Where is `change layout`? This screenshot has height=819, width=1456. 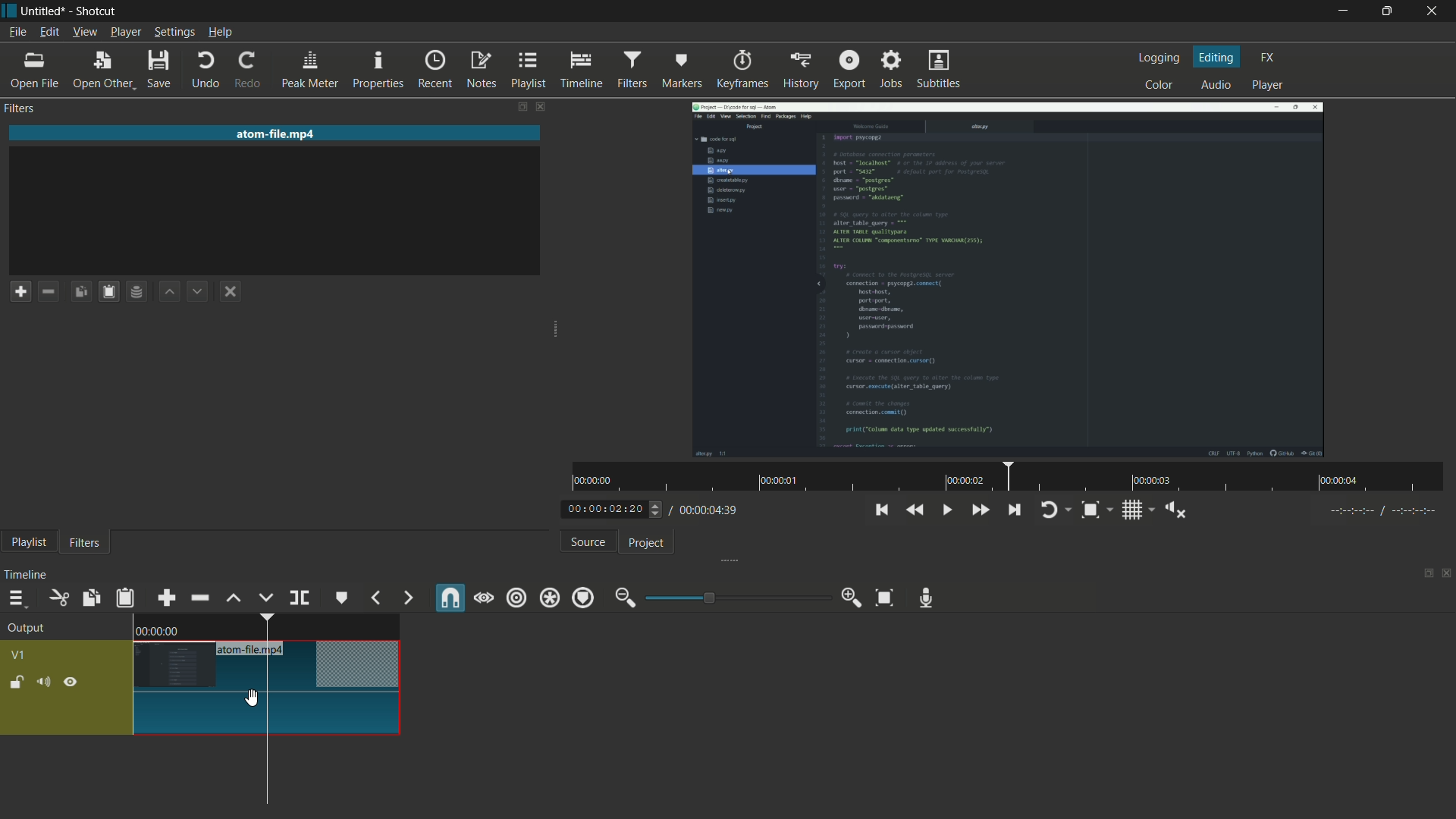 change layout is located at coordinates (521, 108).